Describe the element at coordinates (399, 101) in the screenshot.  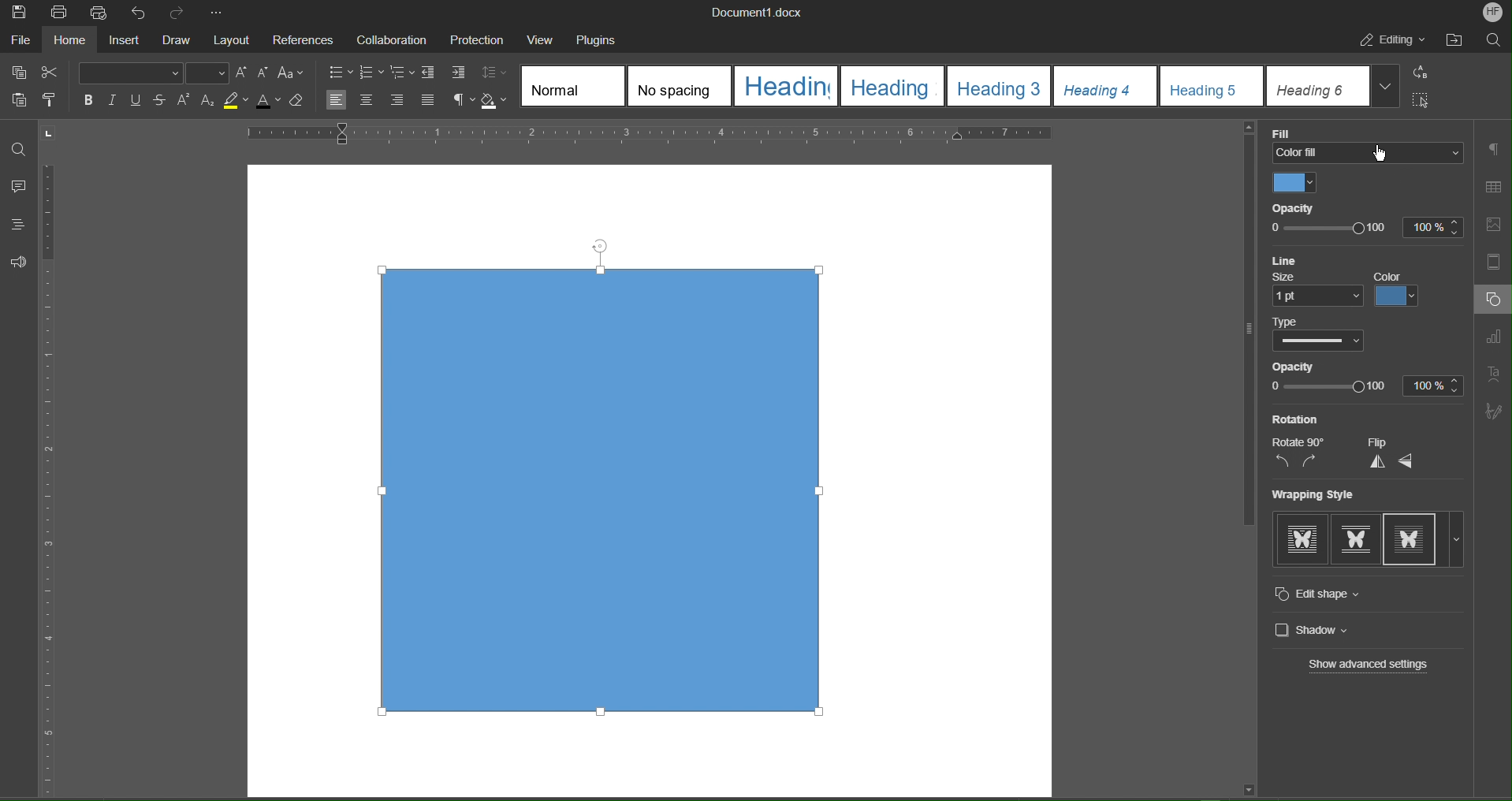
I see `Right Align` at that location.